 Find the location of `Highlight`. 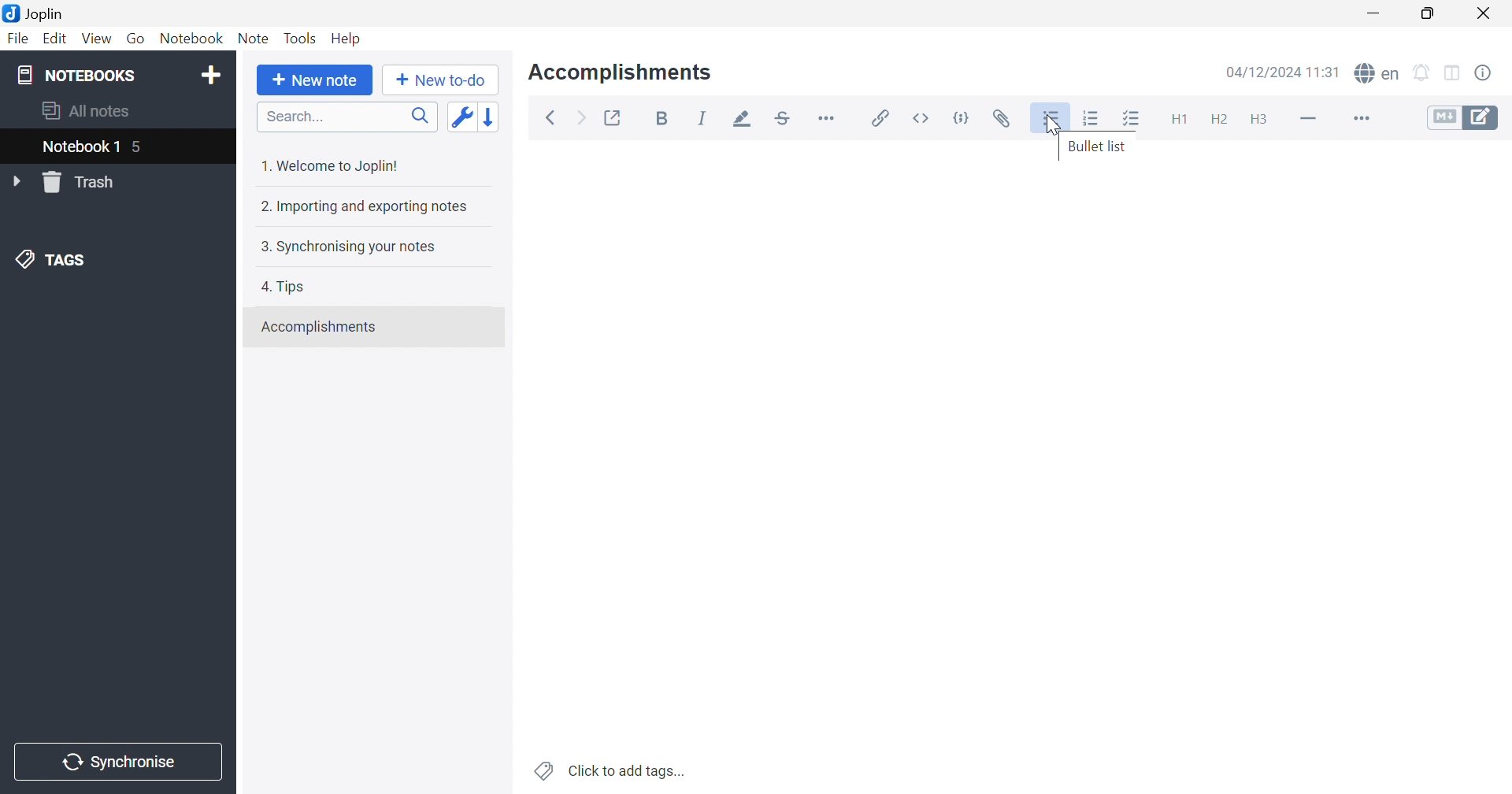

Highlight is located at coordinates (746, 119).